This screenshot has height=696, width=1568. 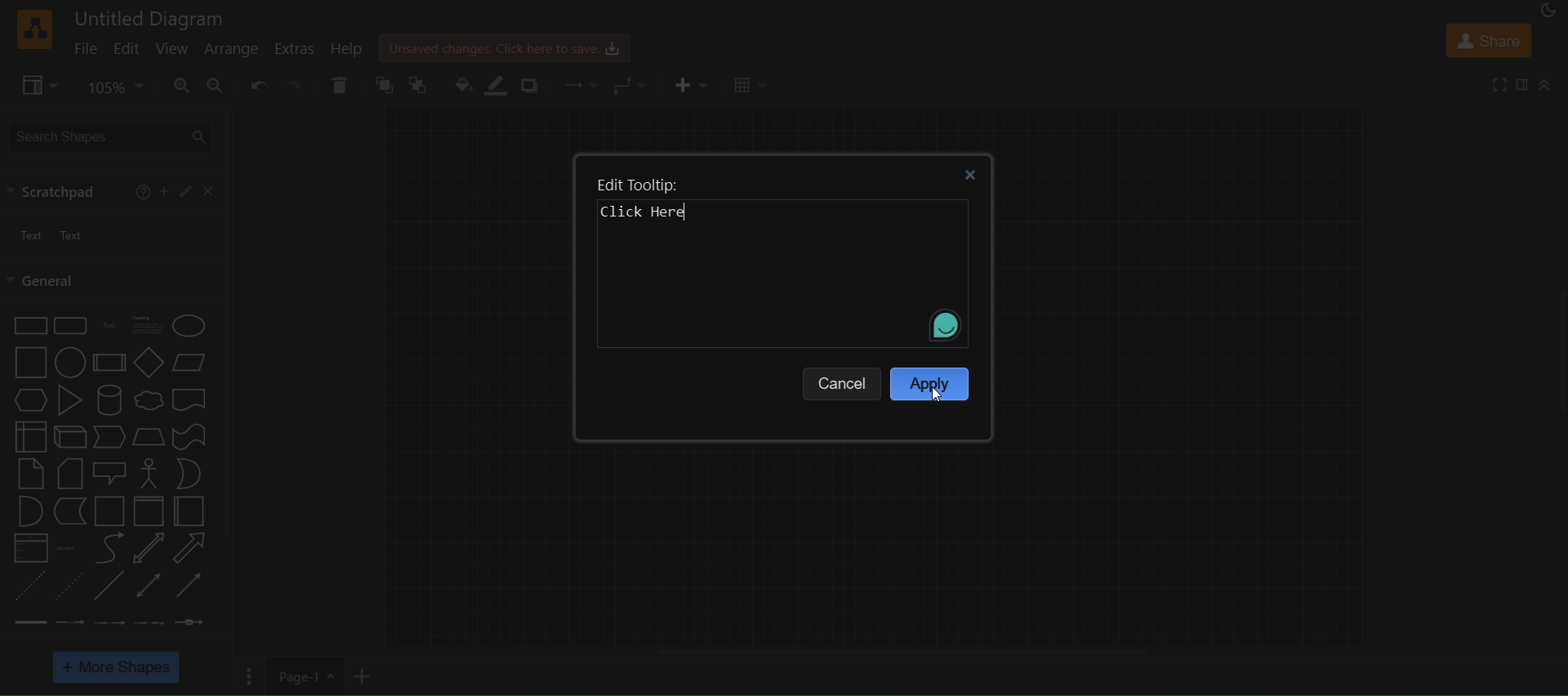 What do you see at coordinates (190, 365) in the screenshot?
I see `parallelogram` at bounding box center [190, 365].